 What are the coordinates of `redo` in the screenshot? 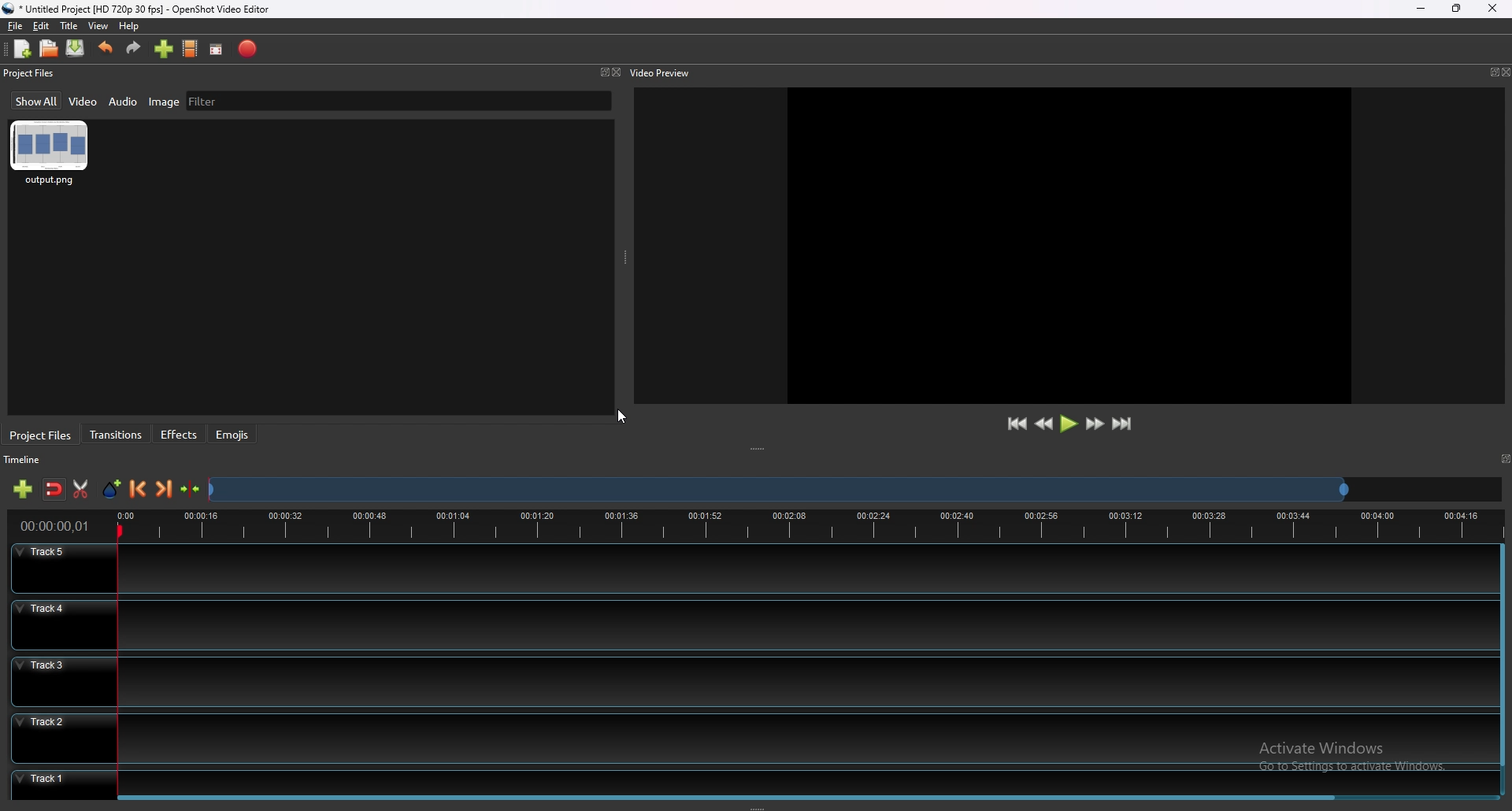 It's located at (133, 48).